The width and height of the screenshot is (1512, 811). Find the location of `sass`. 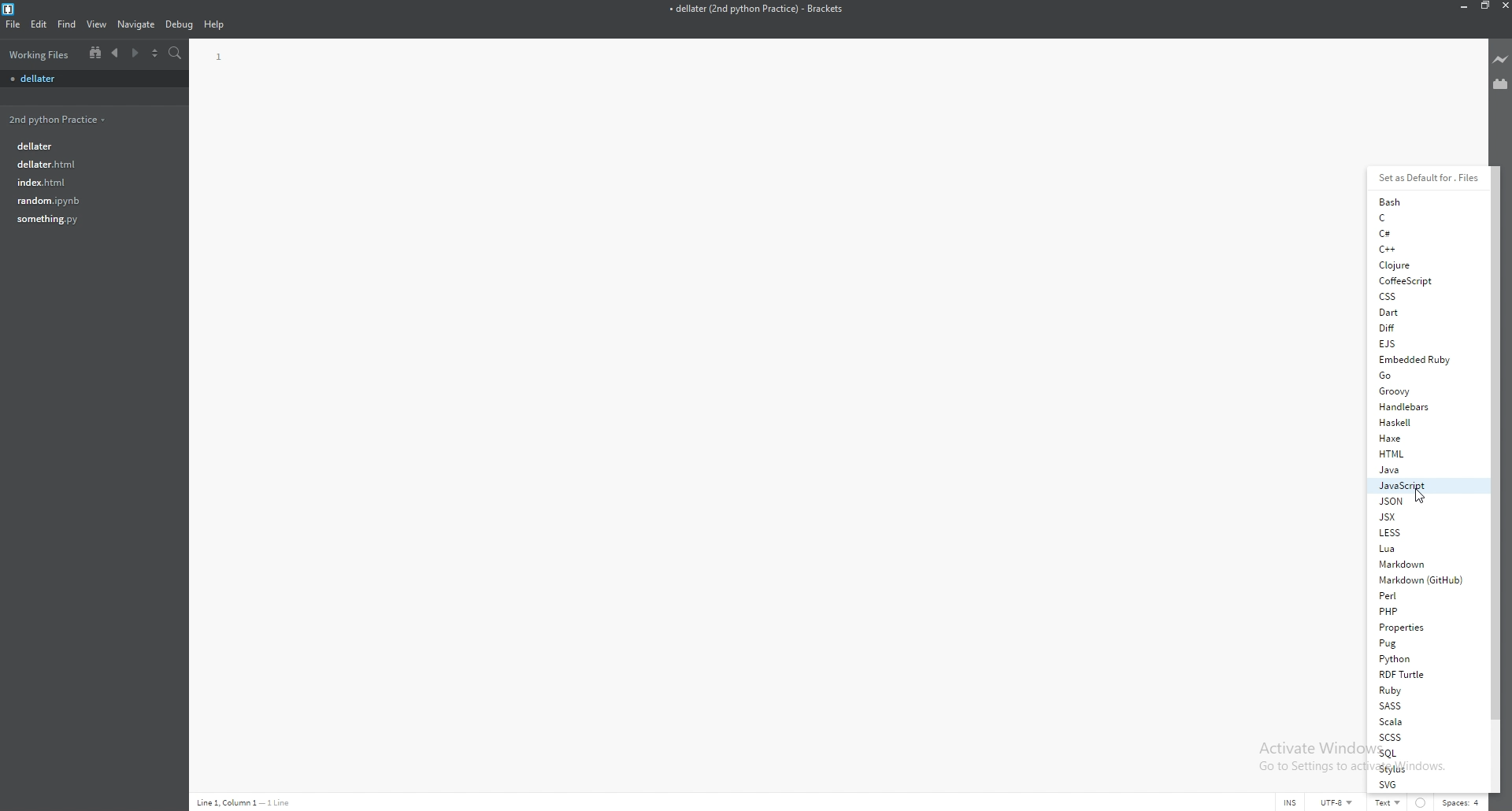

sass is located at coordinates (1420, 705).